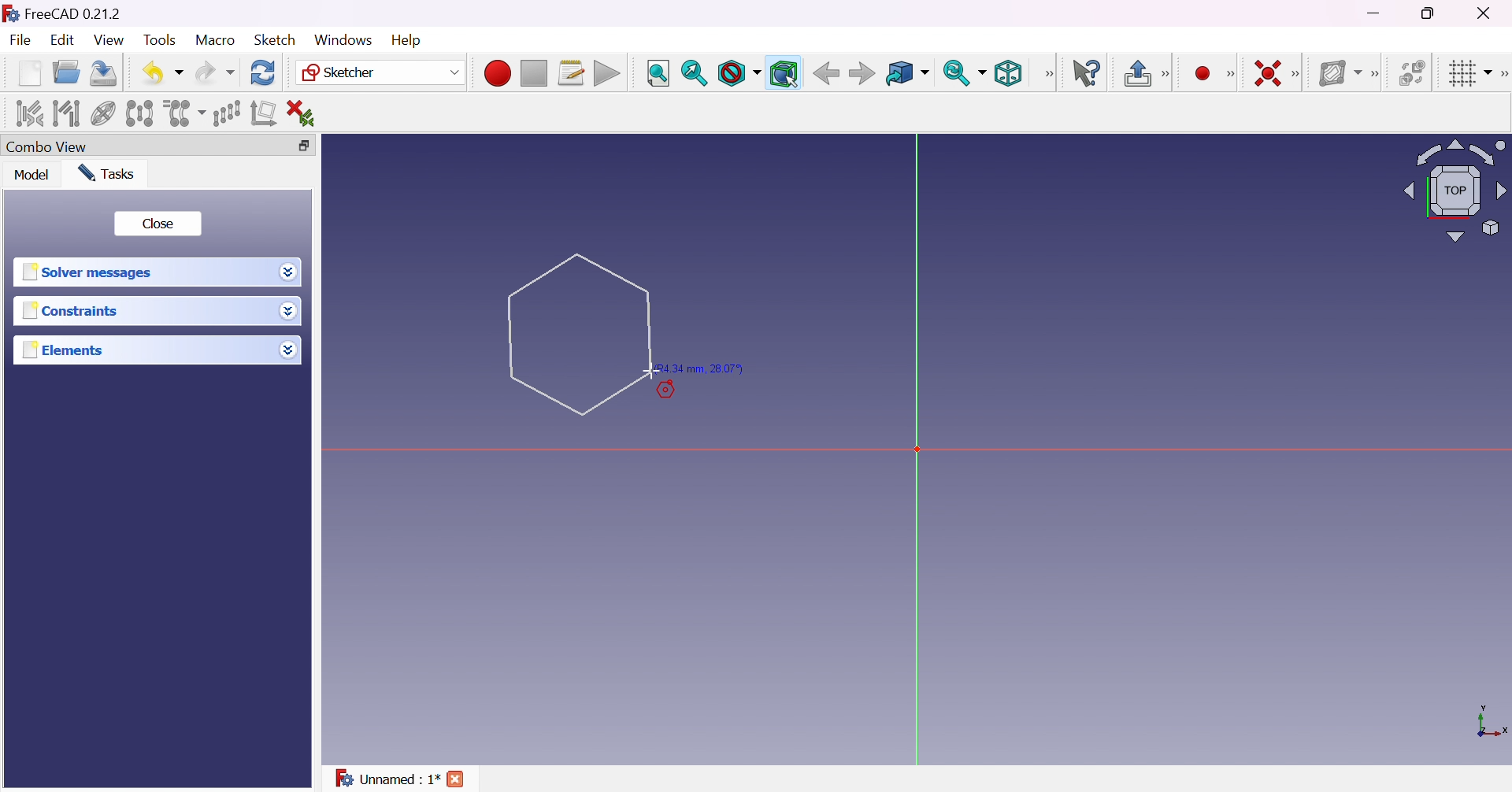  I want to click on Undo, so click(162, 74).